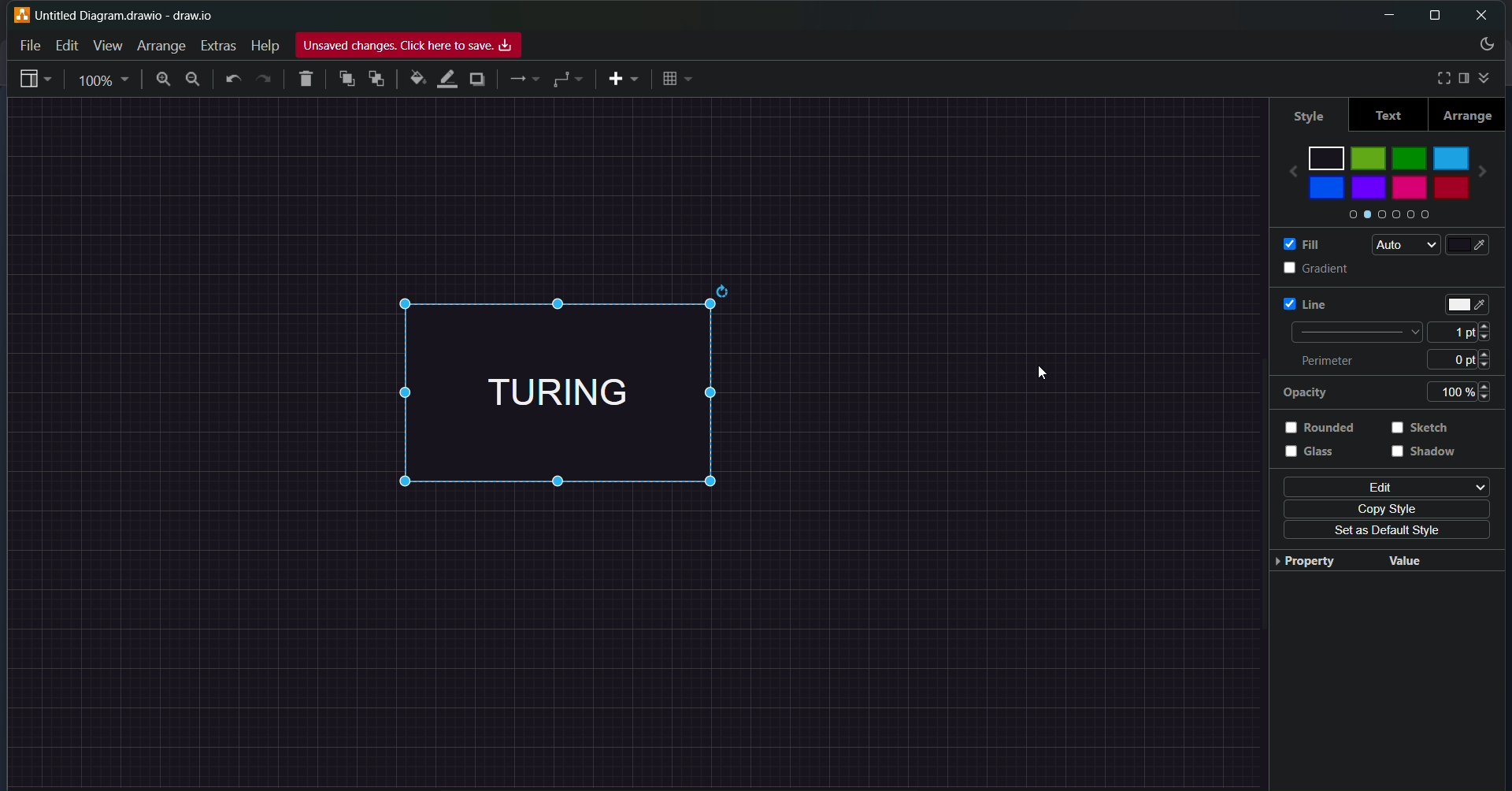 This screenshot has width=1512, height=791. Describe the element at coordinates (1409, 192) in the screenshot. I see `pink` at that location.